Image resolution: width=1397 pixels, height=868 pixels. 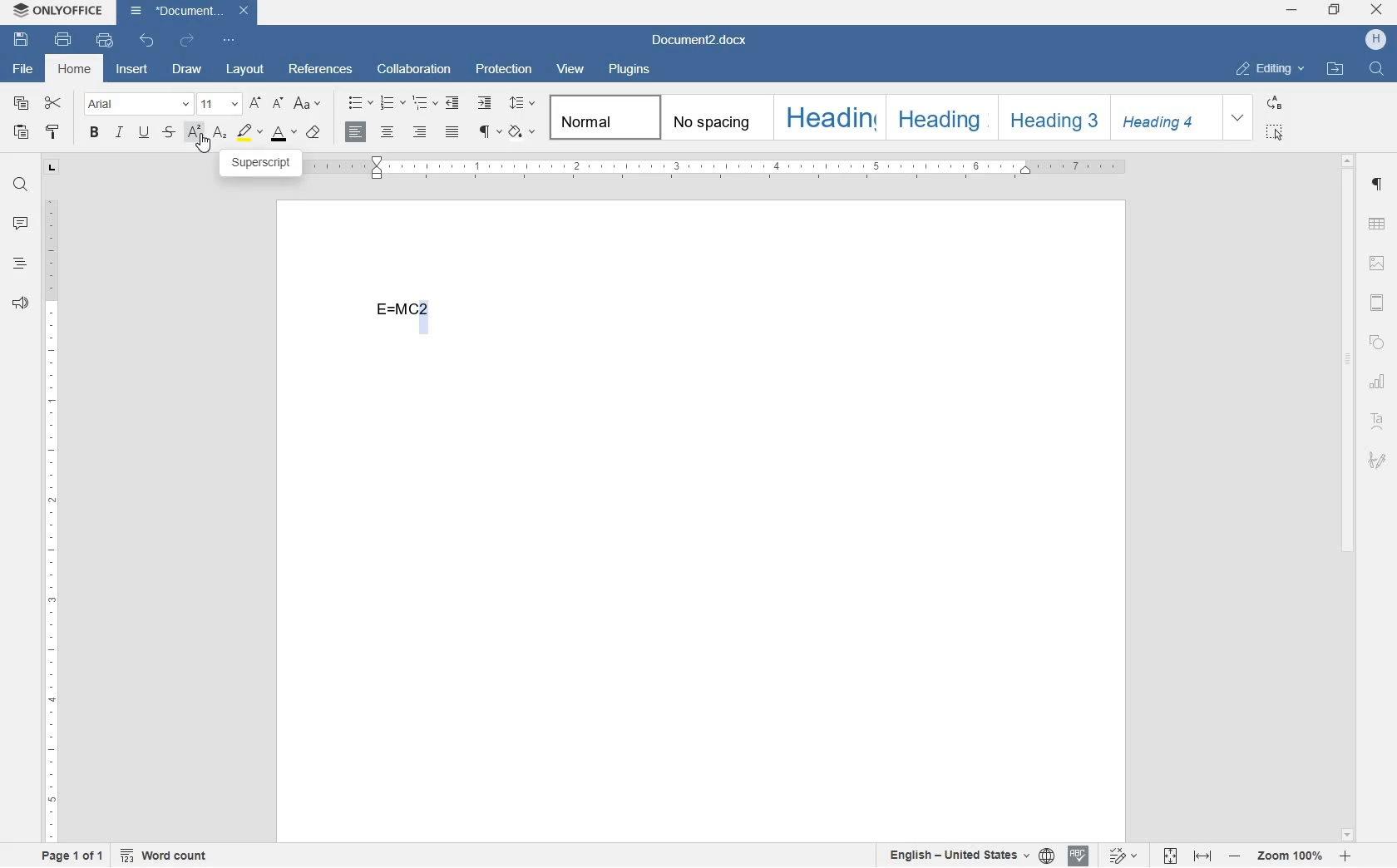 What do you see at coordinates (1276, 104) in the screenshot?
I see `replace` at bounding box center [1276, 104].